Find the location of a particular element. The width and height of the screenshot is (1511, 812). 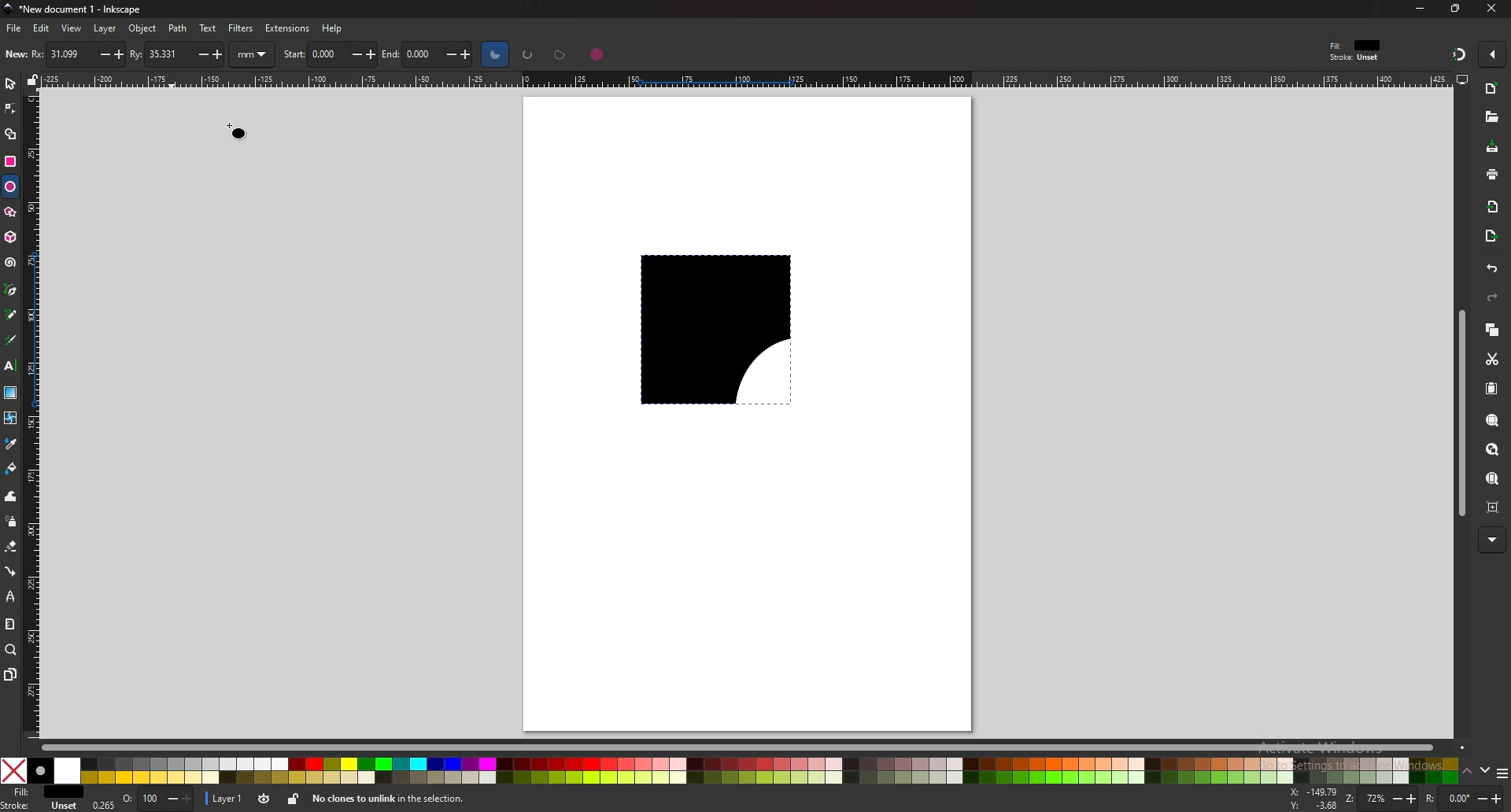

new is located at coordinates (1492, 89).